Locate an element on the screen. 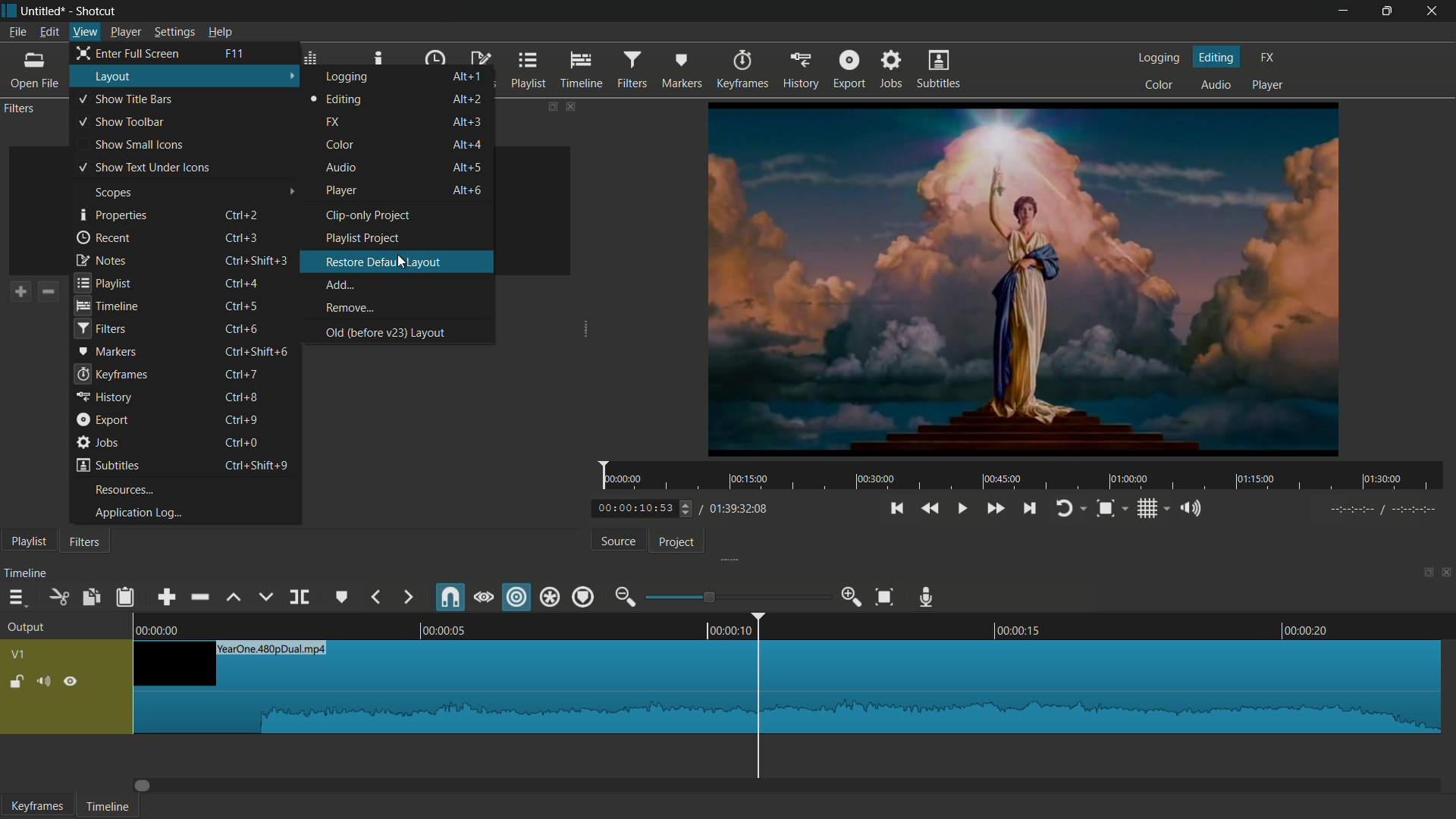 Image resolution: width=1456 pixels, height=819 pixels. keyboard shortcut is located at coordinates (246, 282).